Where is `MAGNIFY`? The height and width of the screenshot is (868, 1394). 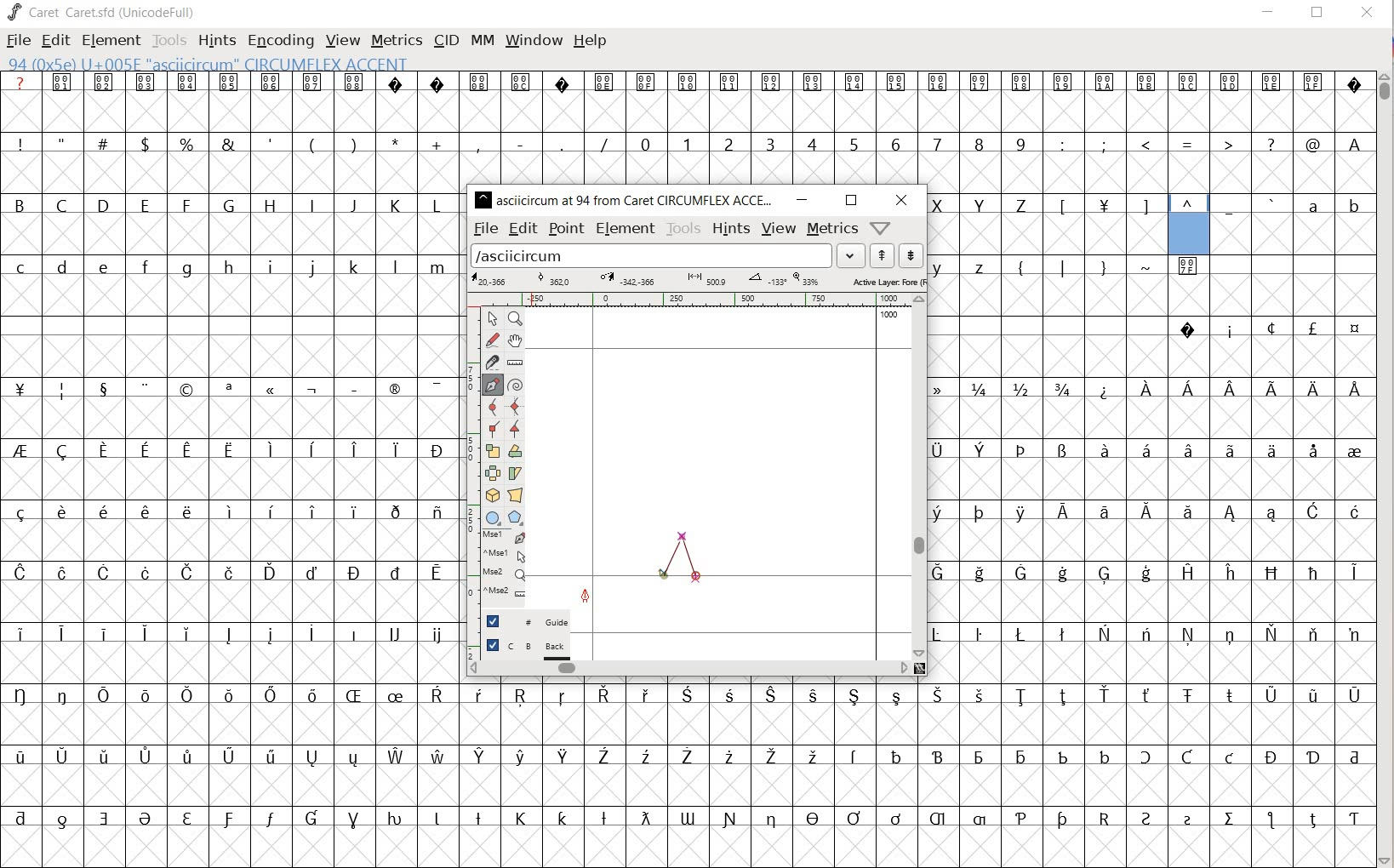
MAGNIFY is located at coordinates (518, 319).